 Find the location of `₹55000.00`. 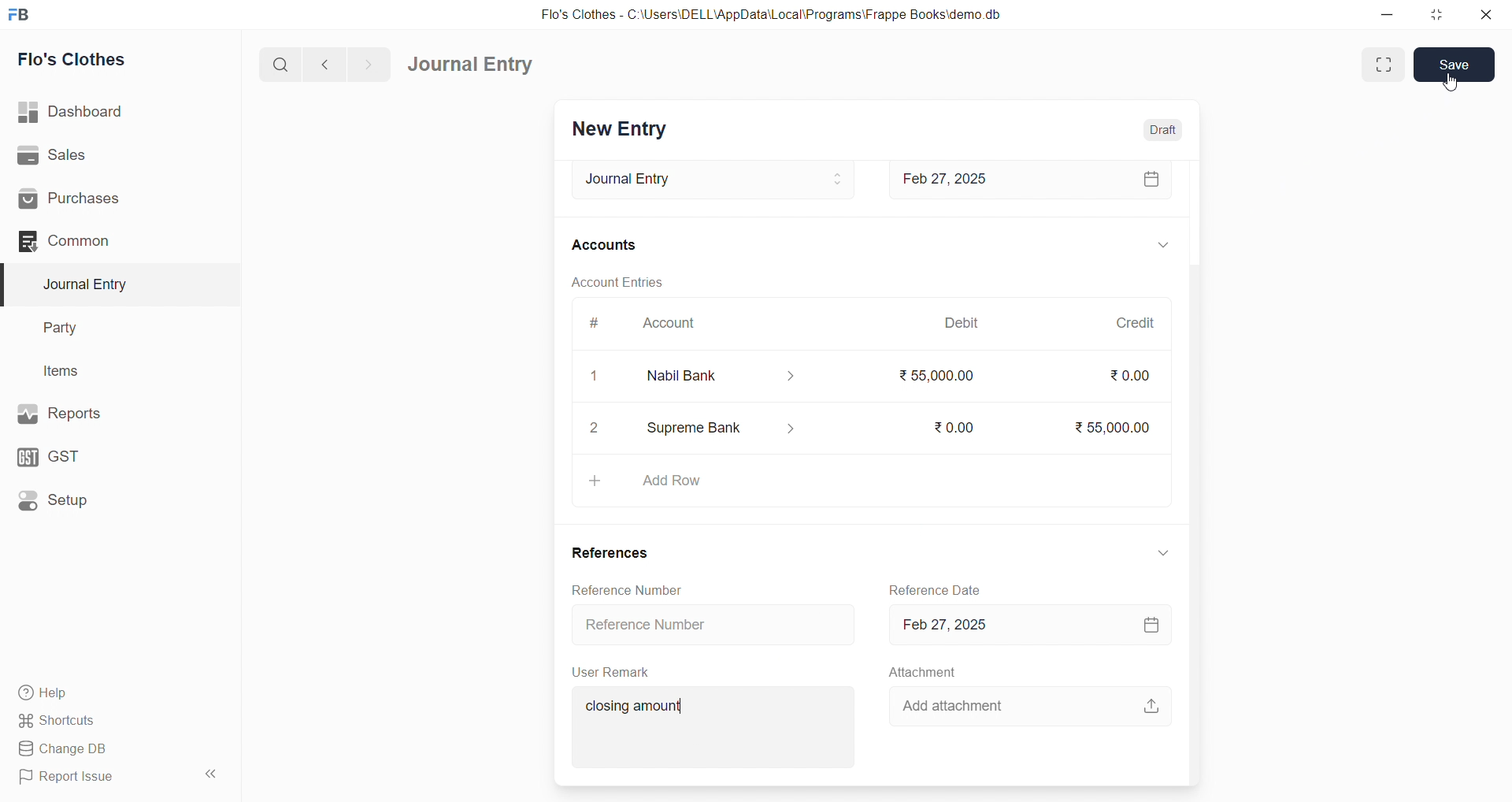

₹55000.00 is located at coordinates (931, 372).